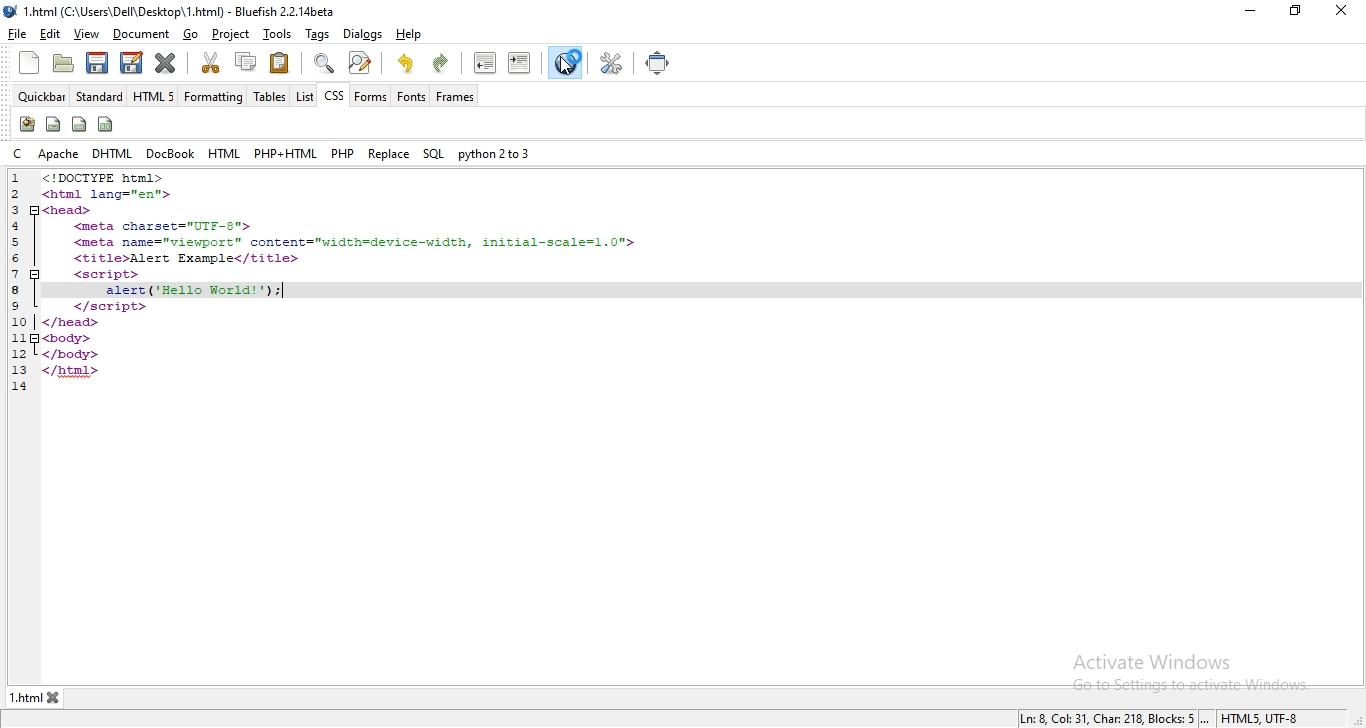 The width and height of the screenshot is (1366, 728). What do you see at coordinates (12, 274) in the screenshot?
I see `7` at bounding box center [12, 274].